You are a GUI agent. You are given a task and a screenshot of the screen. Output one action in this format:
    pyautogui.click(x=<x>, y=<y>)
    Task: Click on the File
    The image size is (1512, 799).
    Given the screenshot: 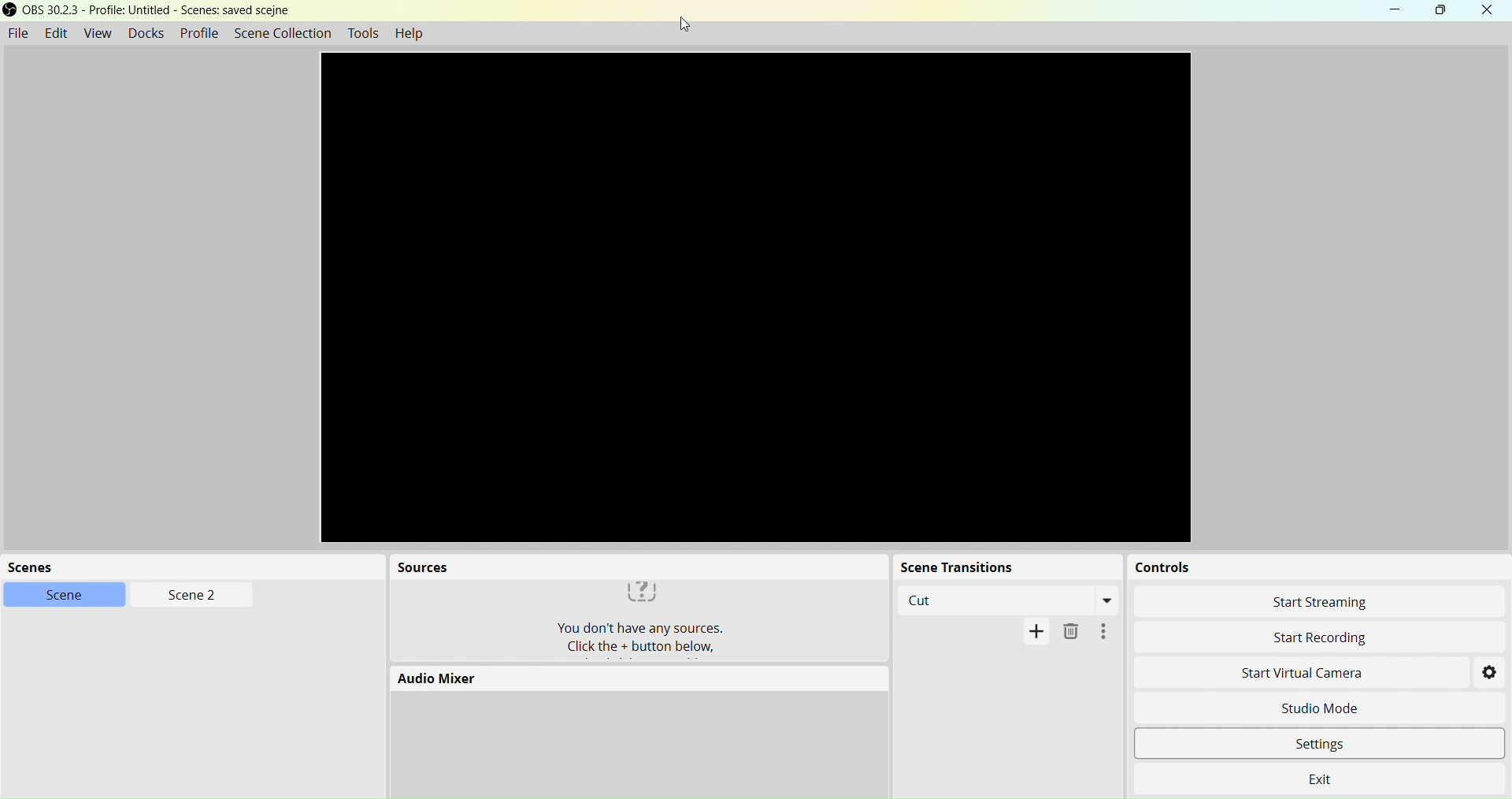 What is the action you would take?
    pyautogui.click(x=19, y=31)
    